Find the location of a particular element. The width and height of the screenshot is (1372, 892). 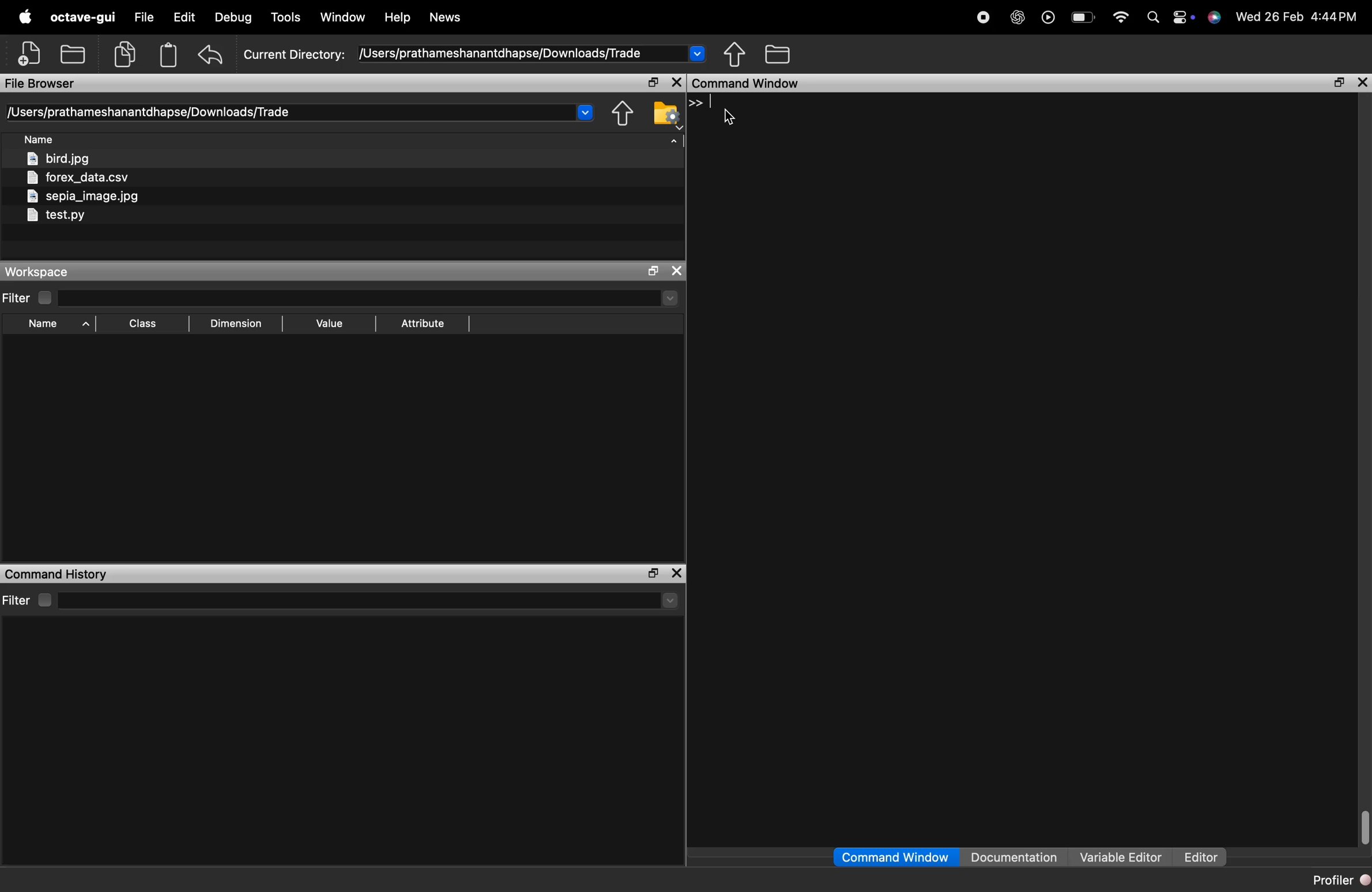

undo is located at coordinates (210, 55).